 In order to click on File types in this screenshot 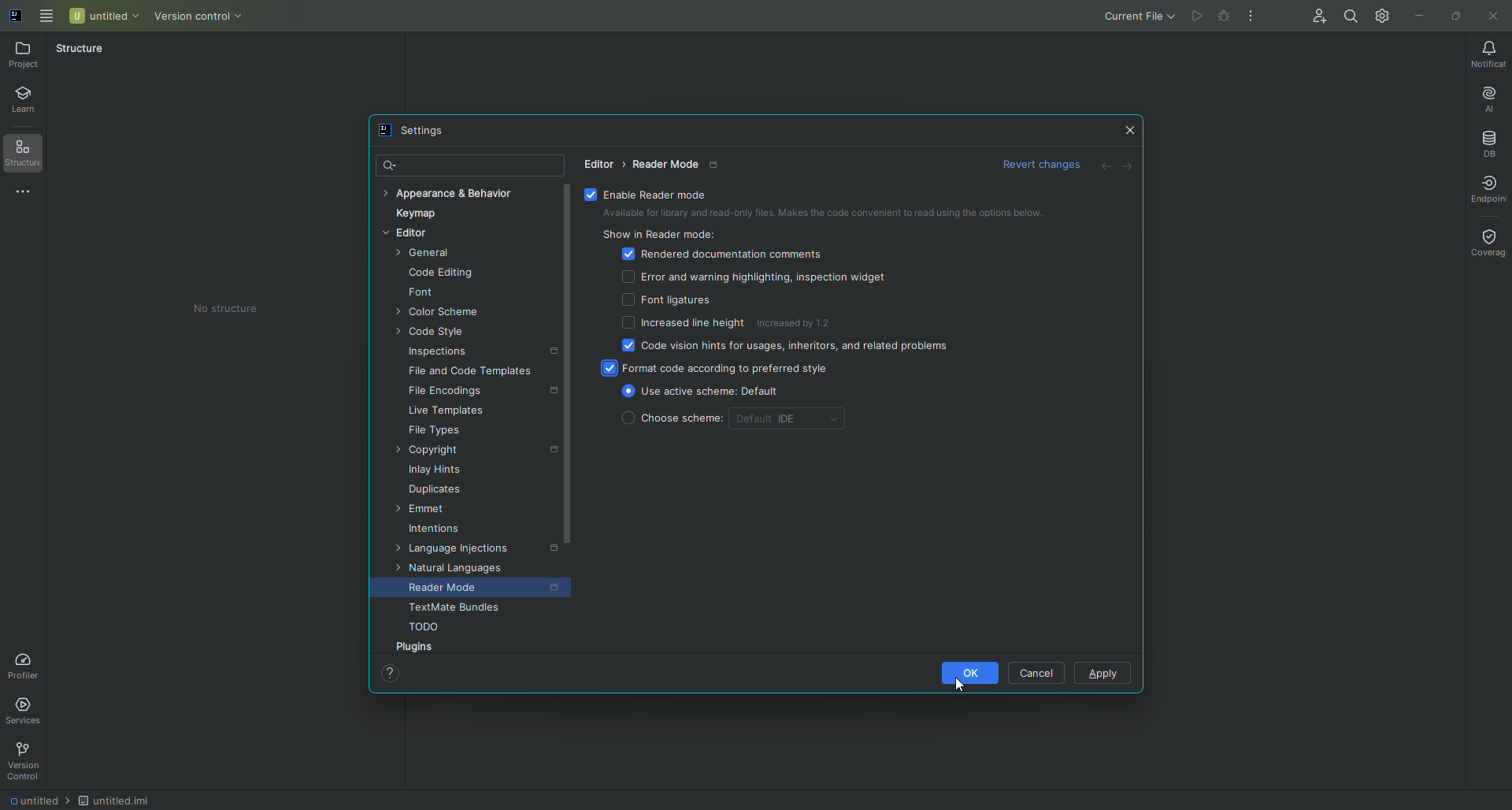, I will do `click(429, 433)`.